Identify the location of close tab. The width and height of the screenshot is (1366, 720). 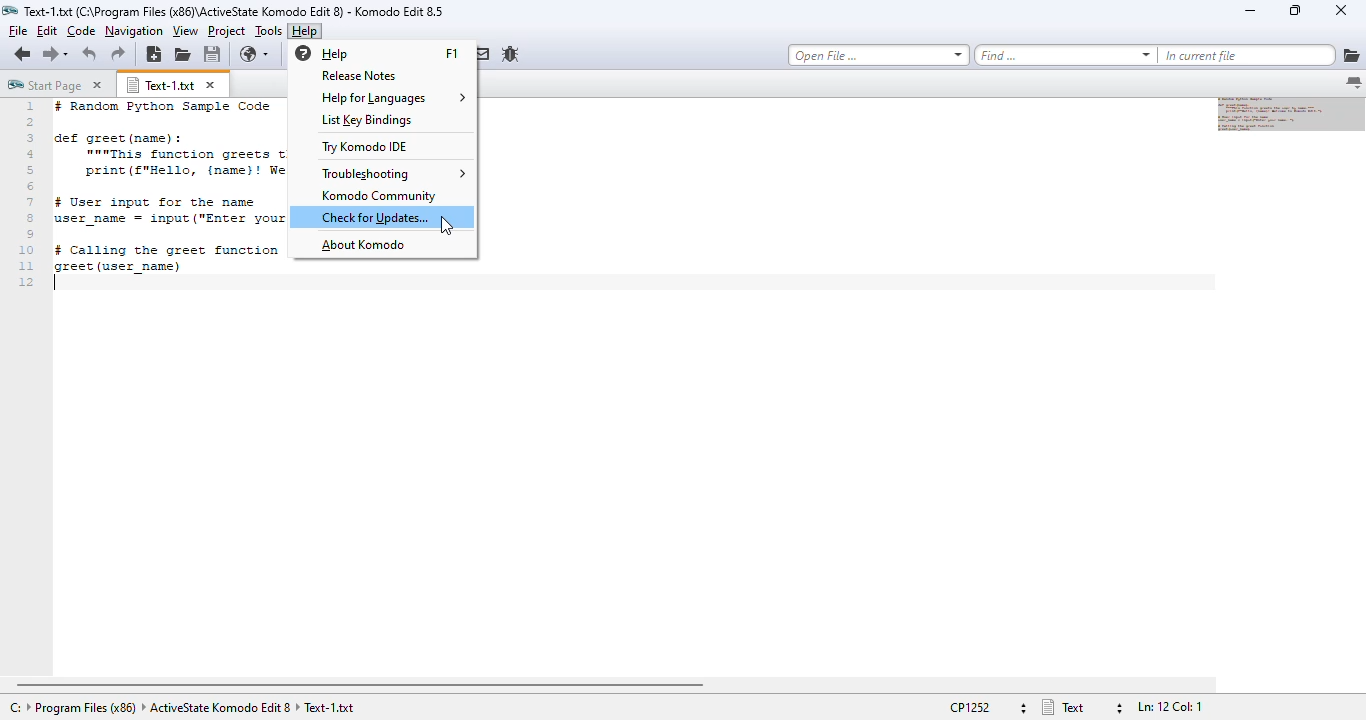
(211, 85).